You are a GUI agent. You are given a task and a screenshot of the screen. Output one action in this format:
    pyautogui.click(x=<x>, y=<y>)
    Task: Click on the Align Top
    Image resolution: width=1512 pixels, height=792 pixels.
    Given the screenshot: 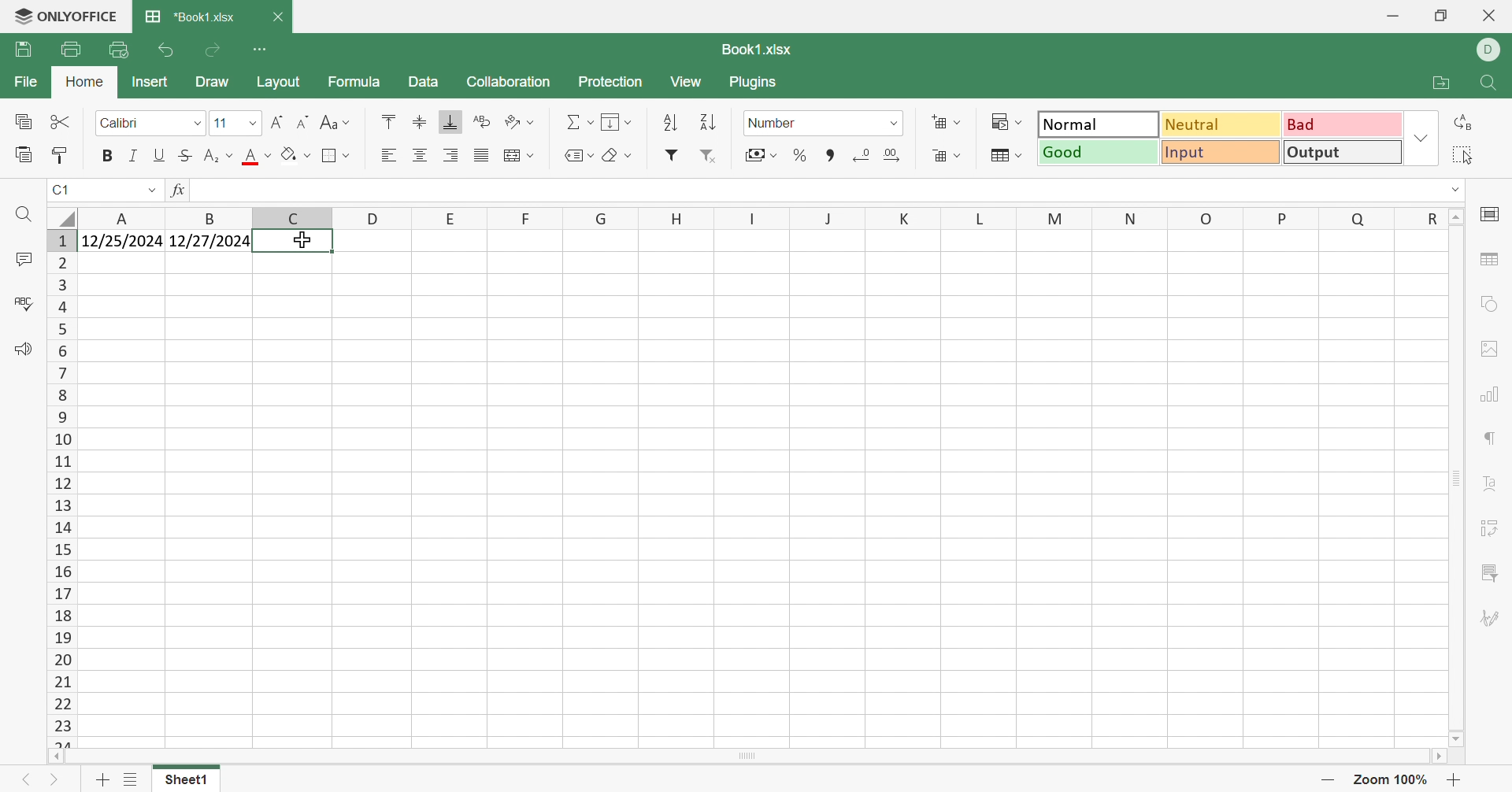 What is the action you would take?
    pyautogui.click(x=390, y=120)
    